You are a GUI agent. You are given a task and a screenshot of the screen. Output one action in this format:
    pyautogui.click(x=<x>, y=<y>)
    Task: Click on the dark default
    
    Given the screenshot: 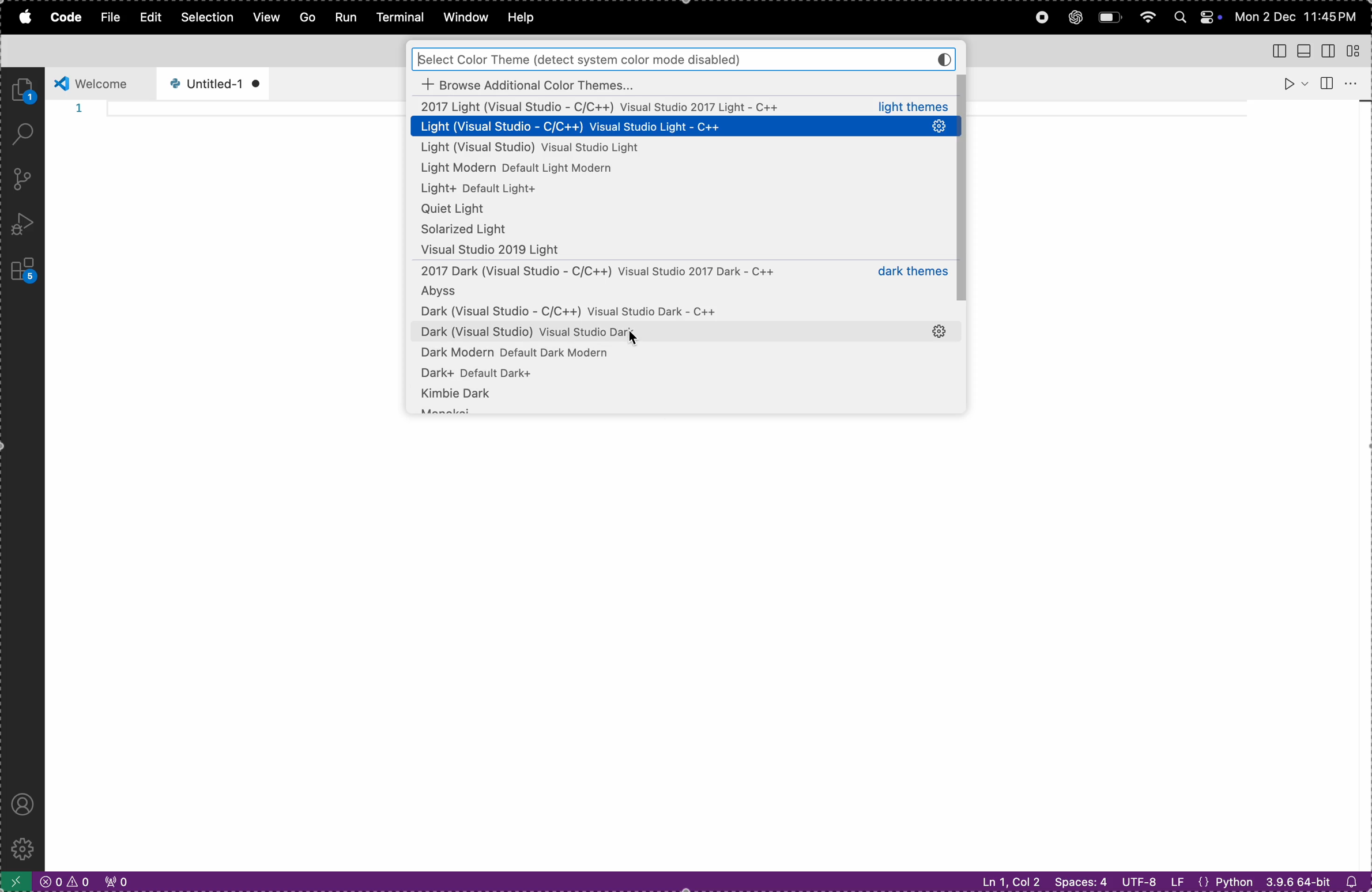 What is the action you would take?
    pyautogui.click(x=687, y=374)
    